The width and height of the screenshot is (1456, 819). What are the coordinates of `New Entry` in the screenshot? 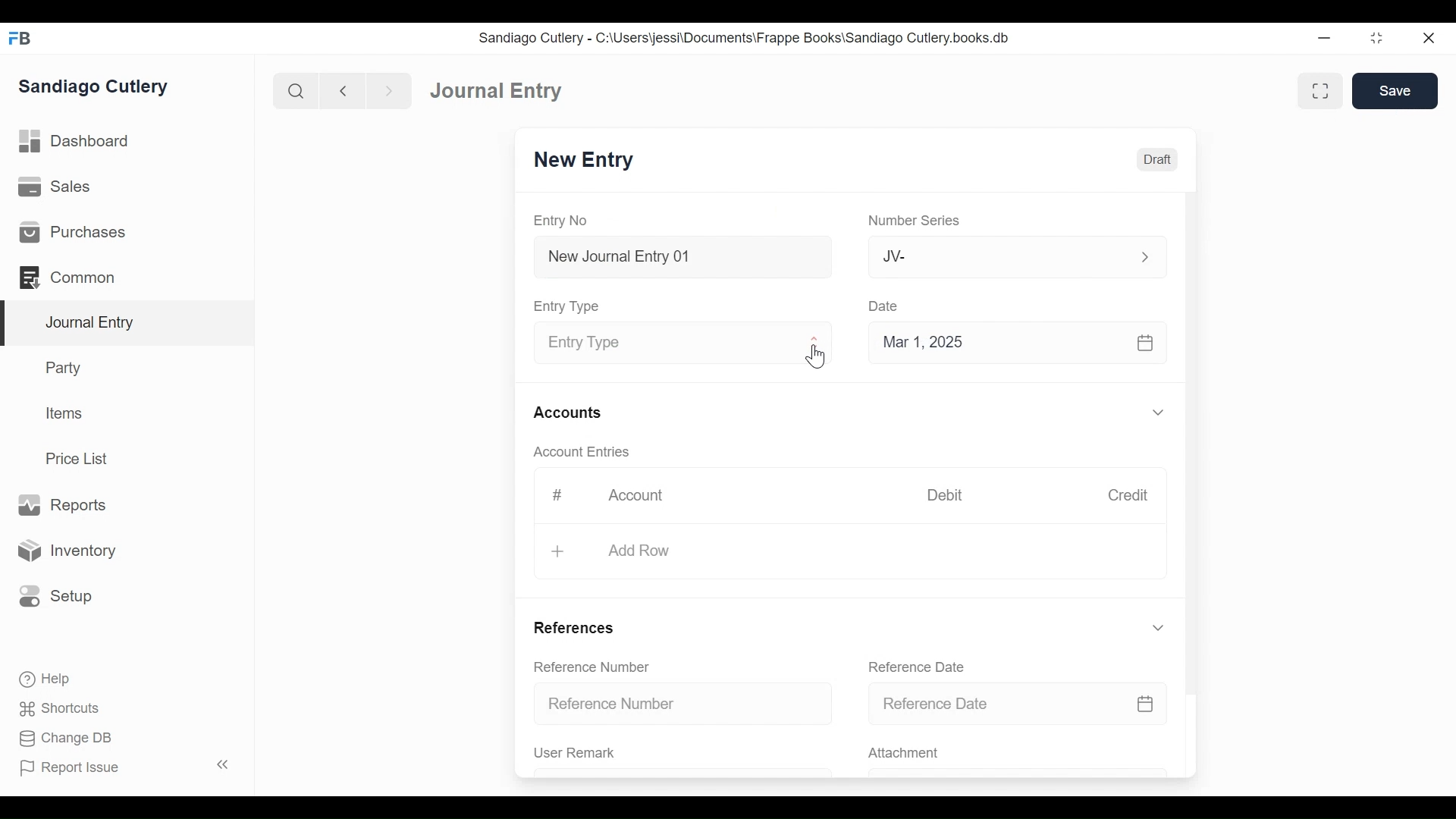 It's located at (585, 161).